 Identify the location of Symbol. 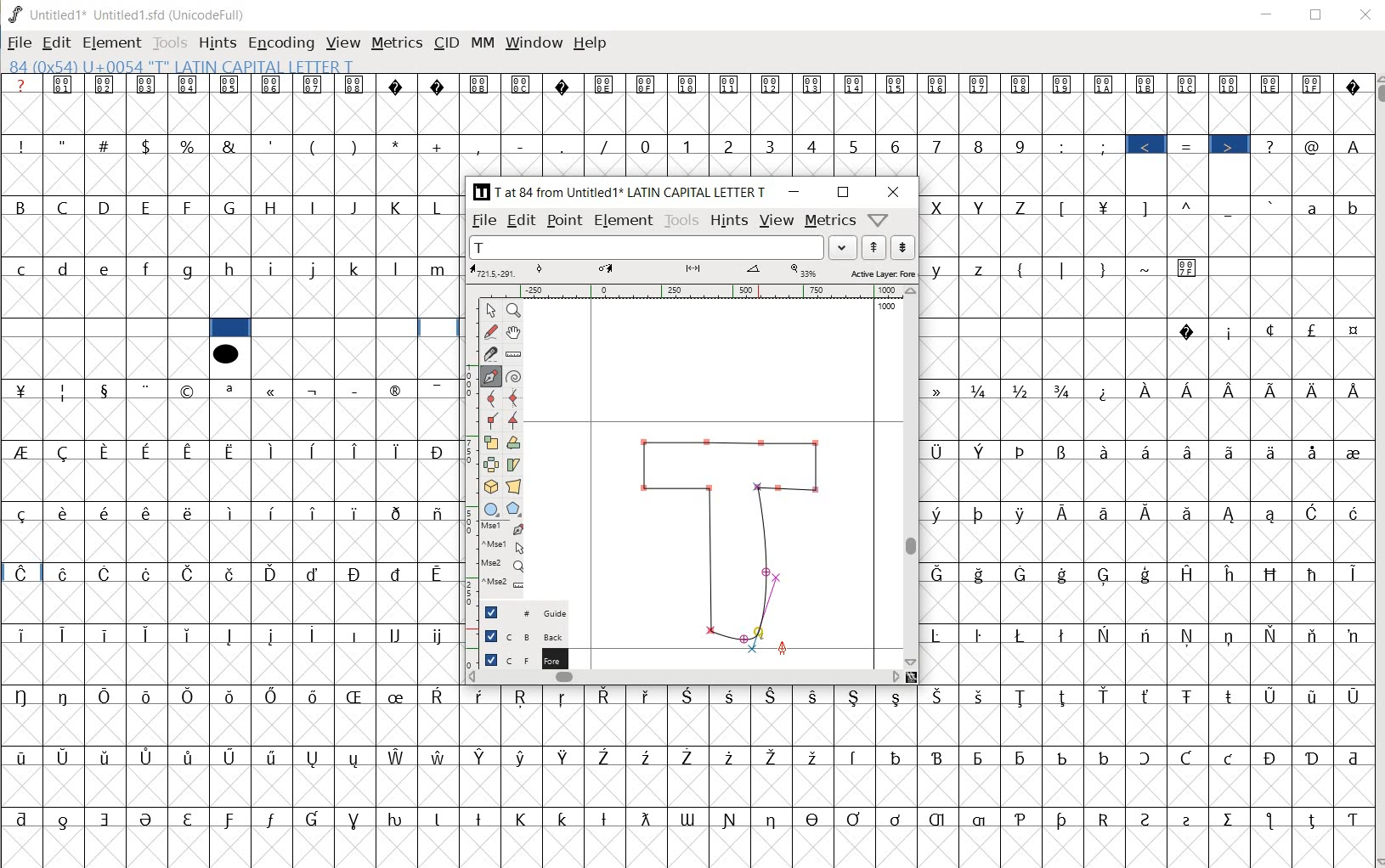
(772, 85).